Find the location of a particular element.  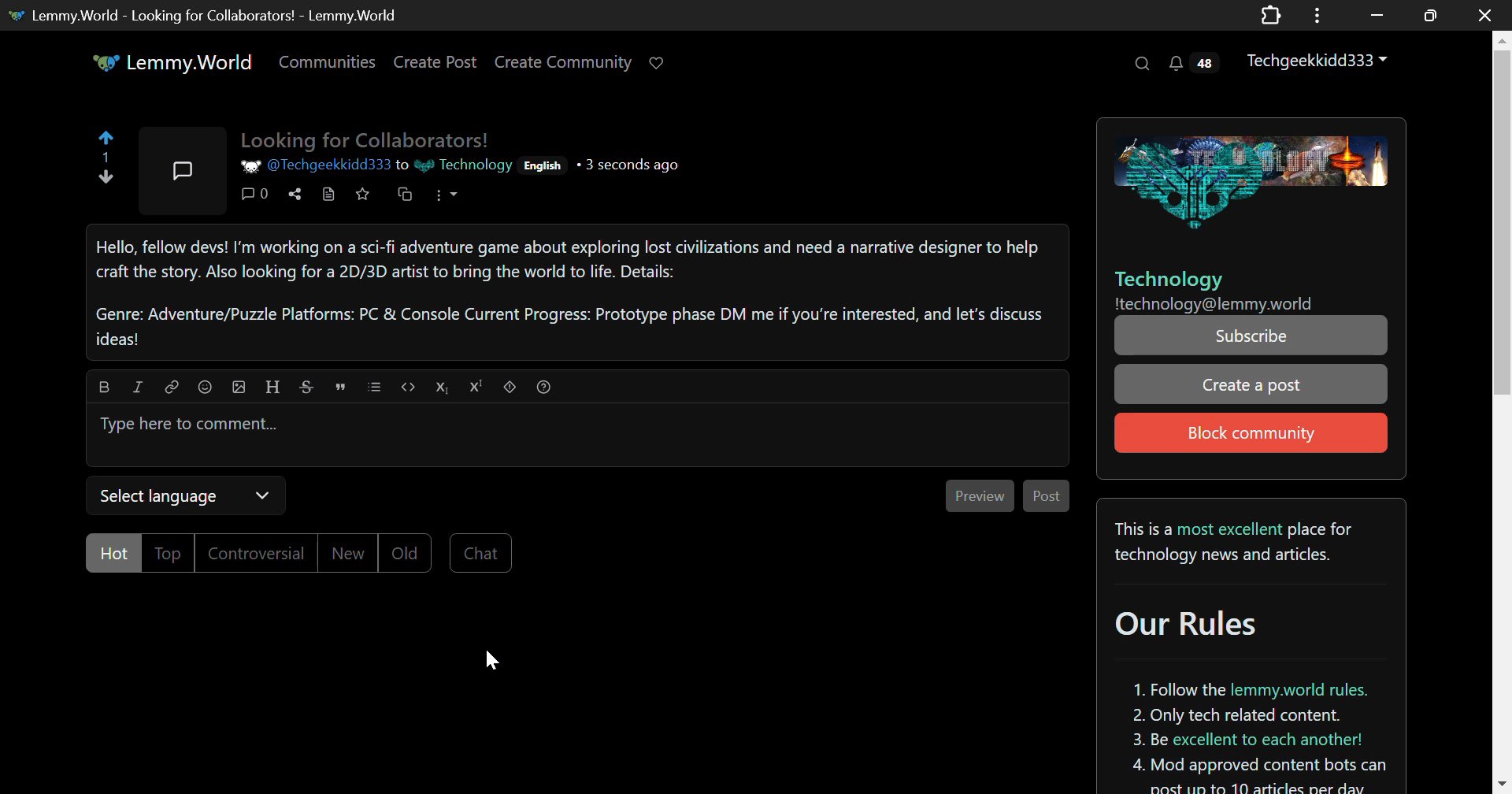

Create Post is located at coordinates (438, 62).